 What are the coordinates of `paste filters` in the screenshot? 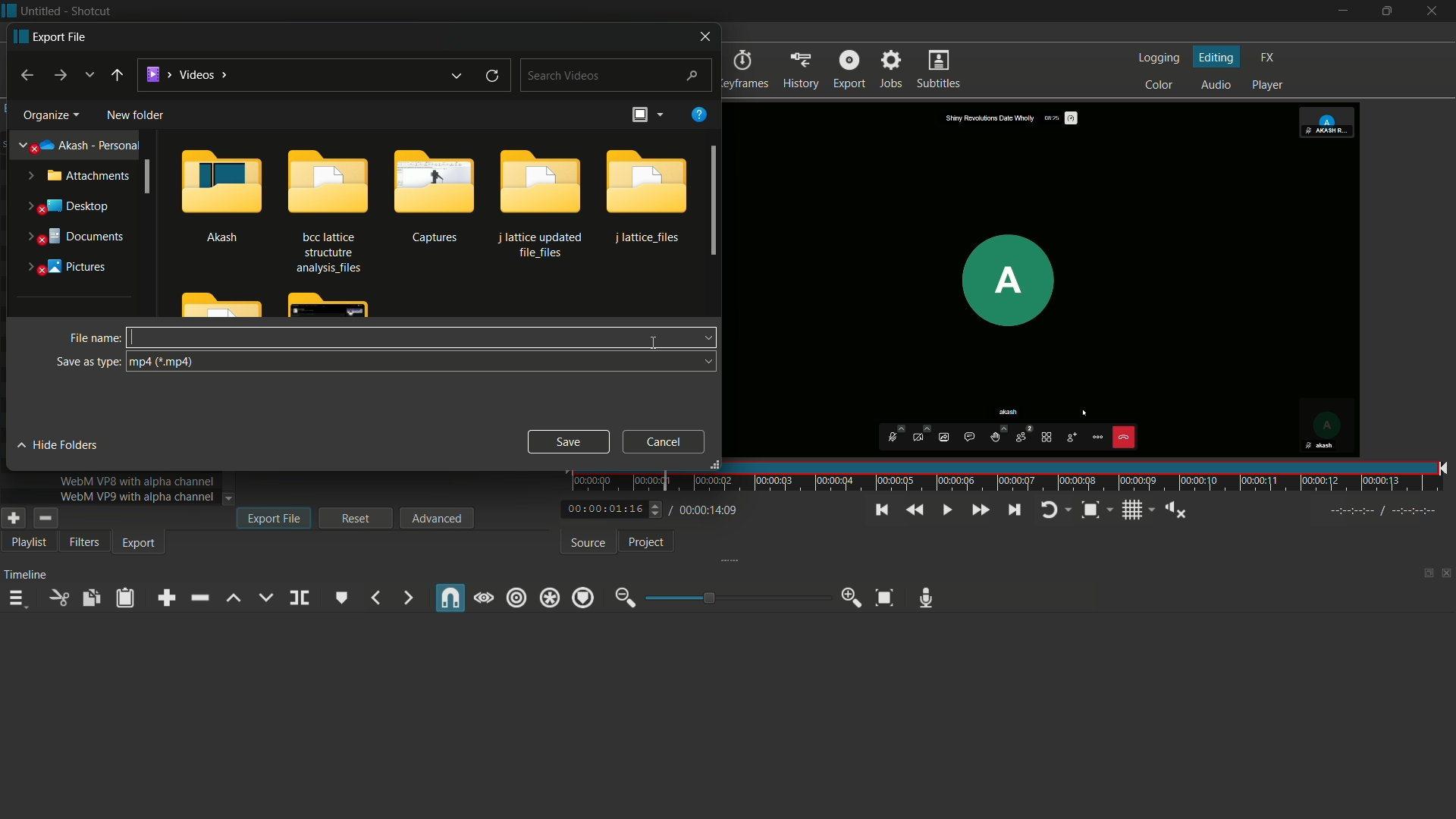 It's located at (125, 599).